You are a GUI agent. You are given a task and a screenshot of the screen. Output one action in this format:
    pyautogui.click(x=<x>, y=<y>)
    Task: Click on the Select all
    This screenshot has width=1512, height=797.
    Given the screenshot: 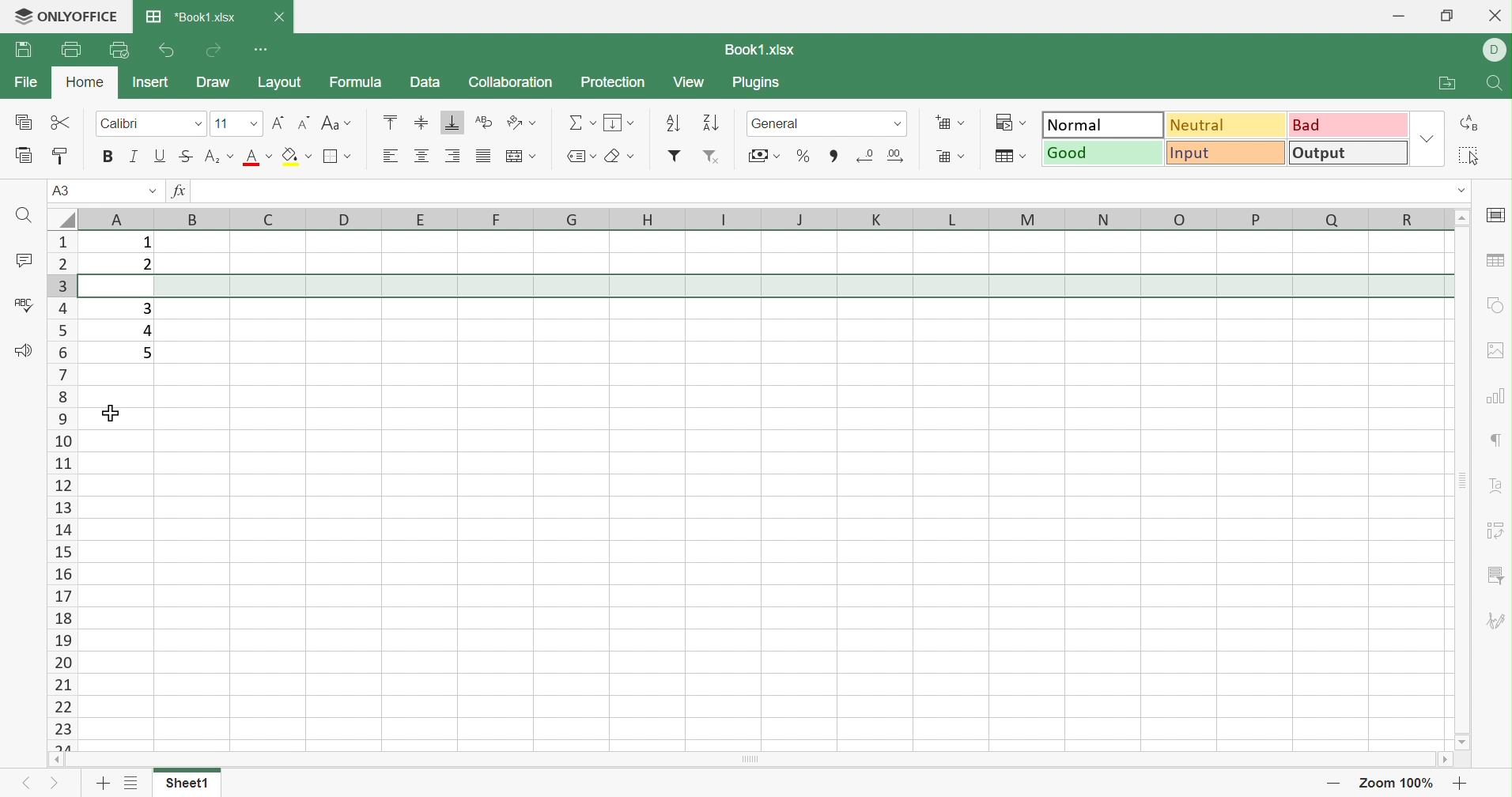 What is the action you would take?
    pyautogui.click(x=1466, y=157)
    